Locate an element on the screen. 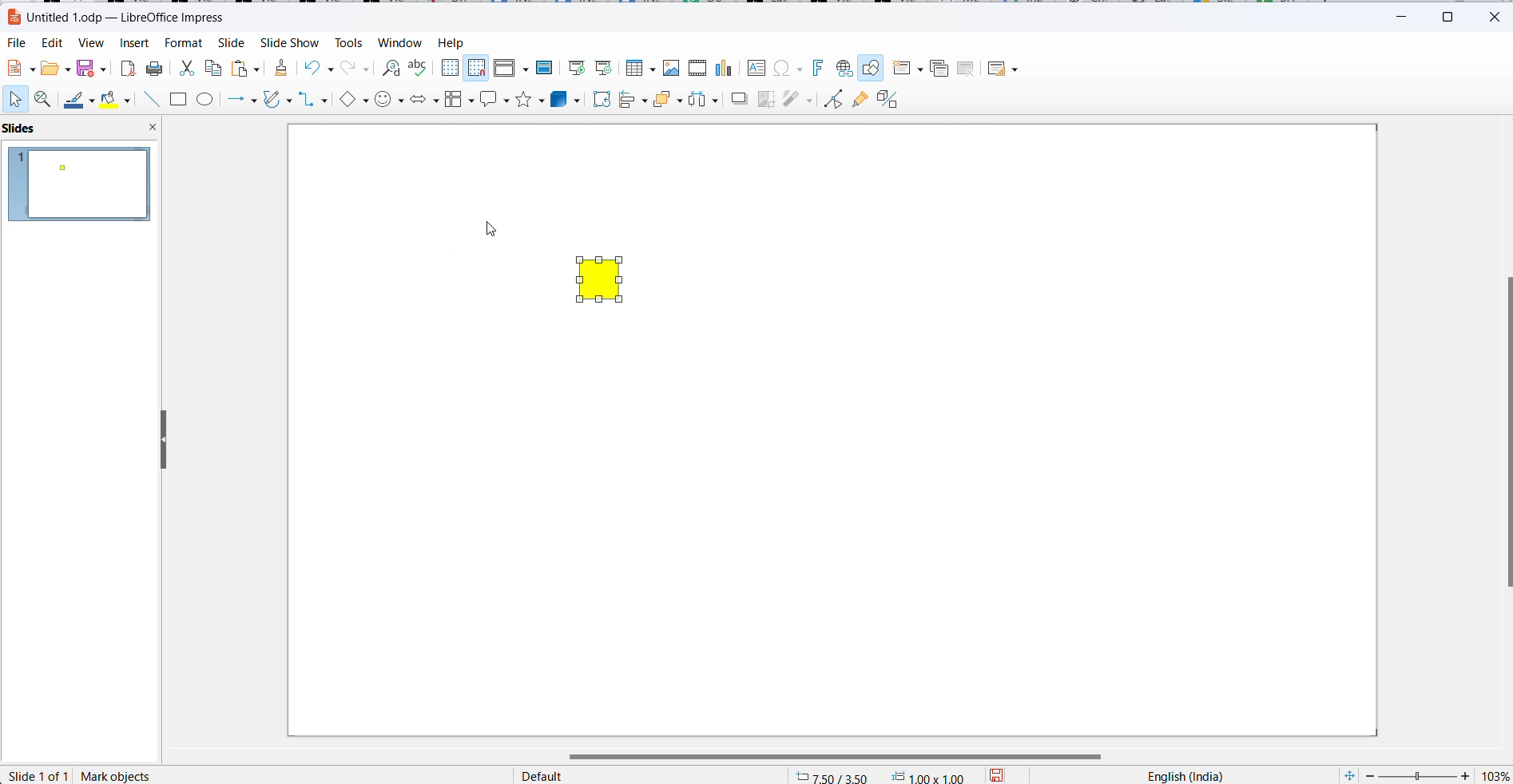 This screenshot has height=784, width=1513. Slide layout is located at coordinates (1006, 69).